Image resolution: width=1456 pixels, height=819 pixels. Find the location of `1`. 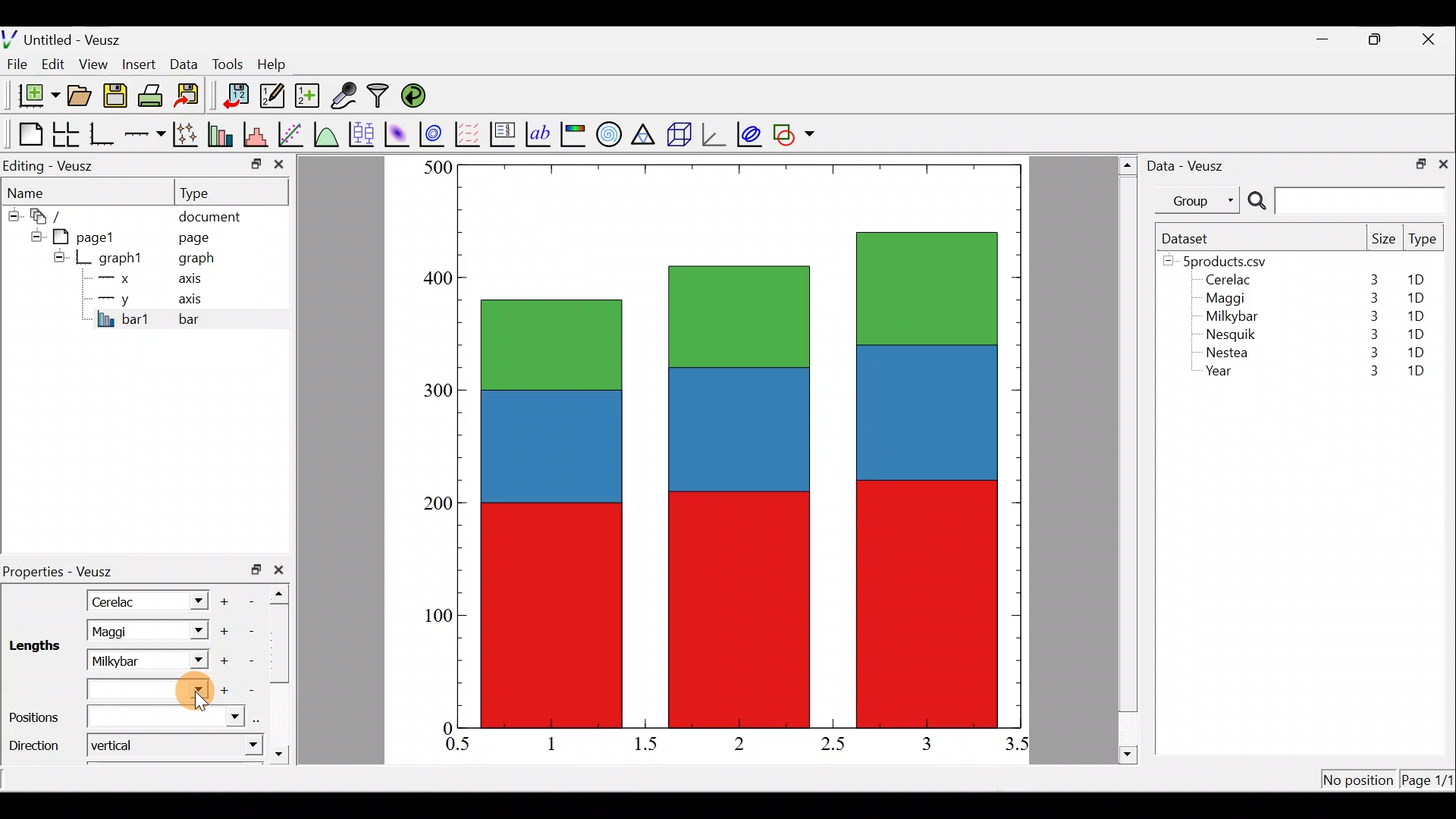

1 is located at coordinates (563, 743).